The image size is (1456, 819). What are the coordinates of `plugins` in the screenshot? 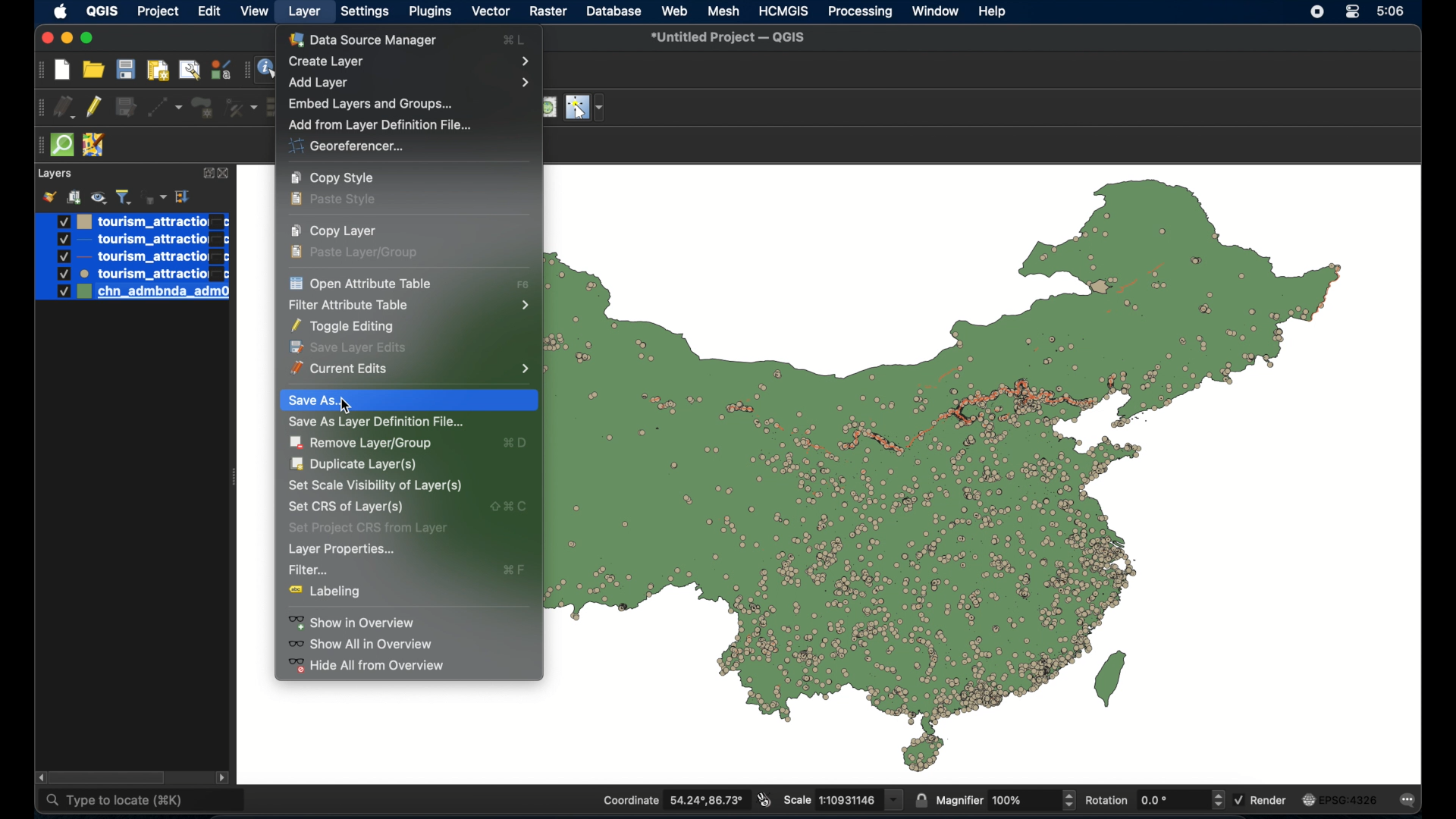 It's located at (432, 12).